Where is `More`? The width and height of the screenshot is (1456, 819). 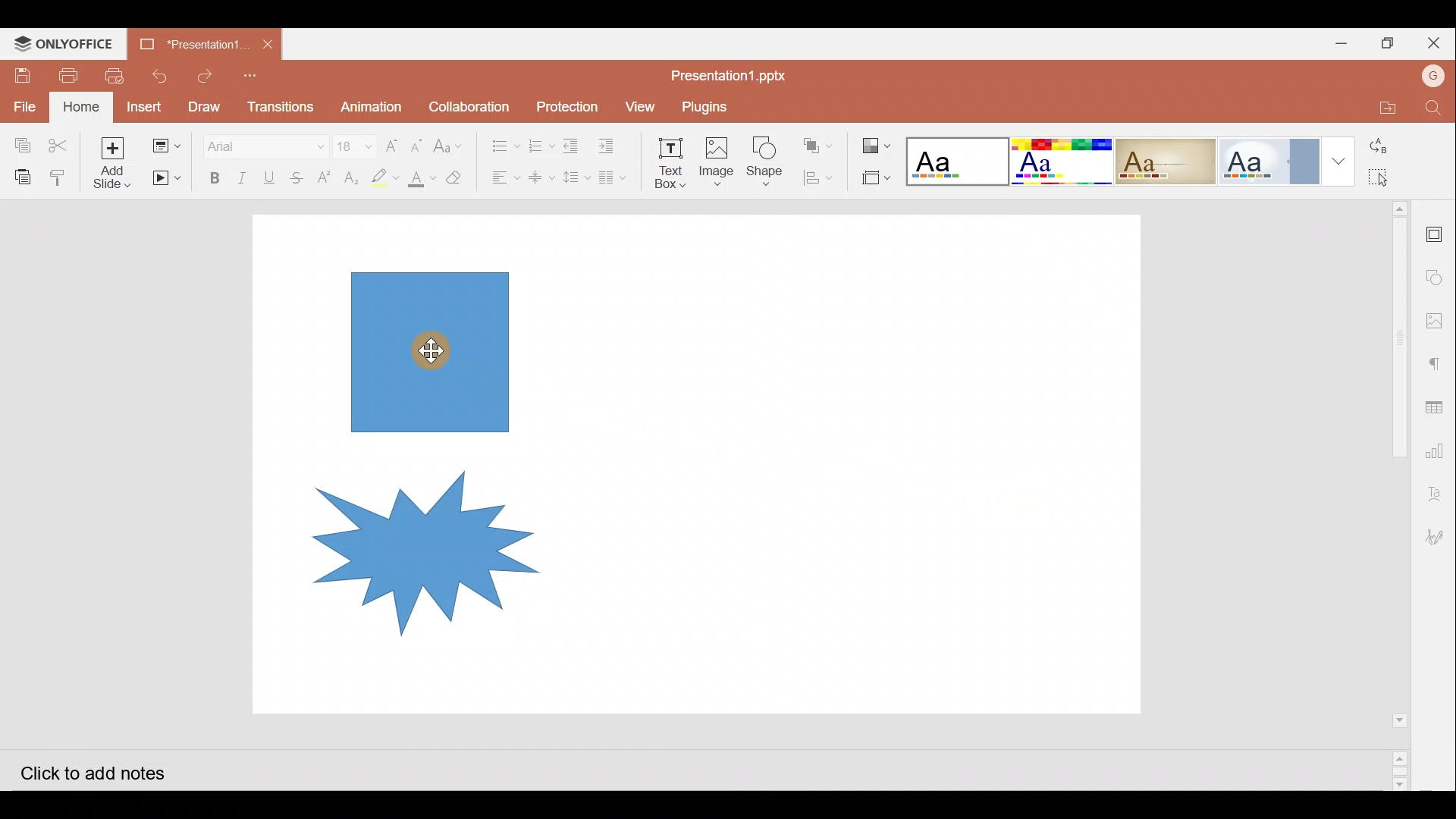 More is located at coordinates (1335, 162).